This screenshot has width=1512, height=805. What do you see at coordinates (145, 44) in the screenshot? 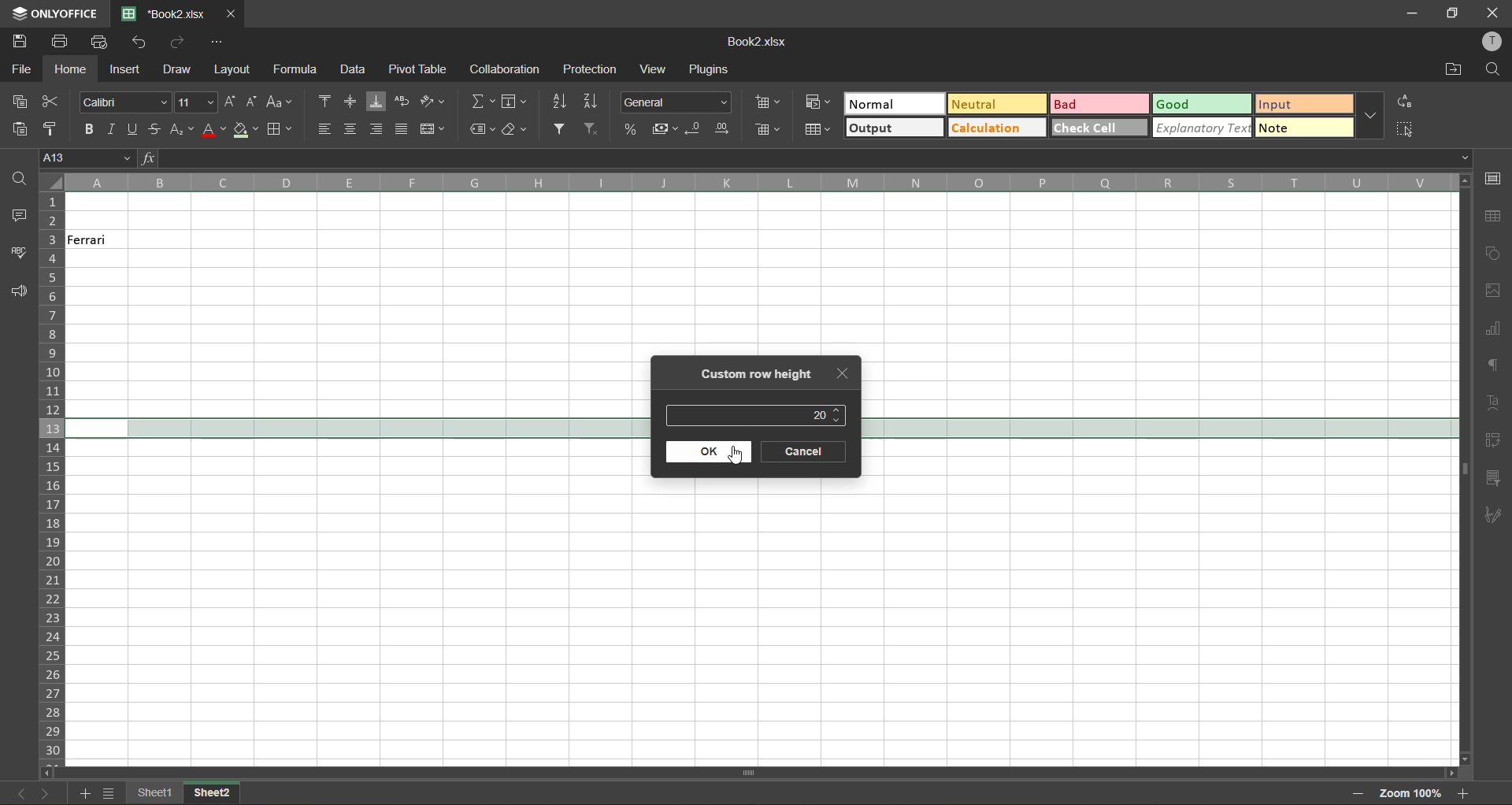
I see `undo` at bounding box center [145, 44].